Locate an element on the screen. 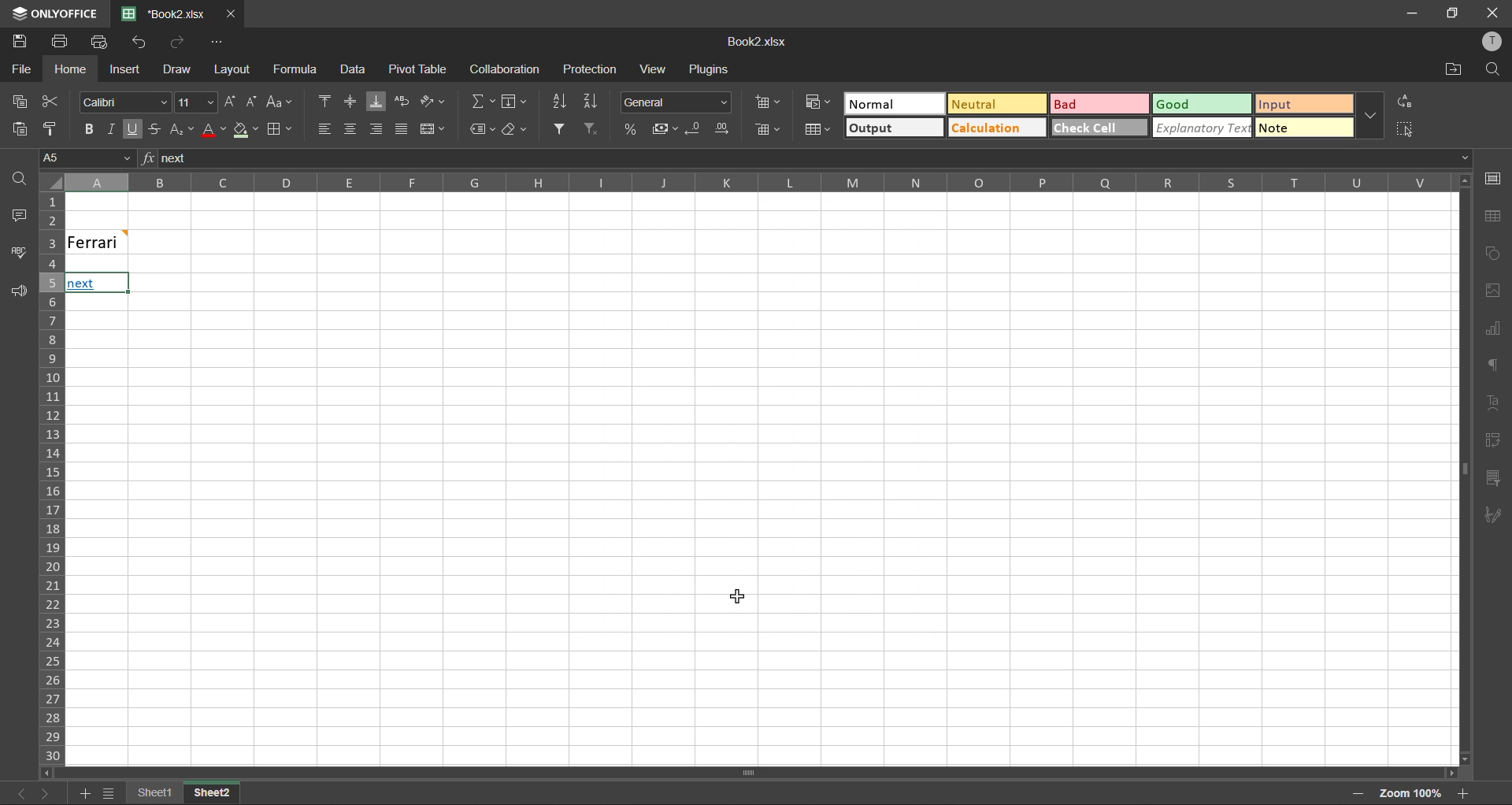  percent is located at coordinates (630, 131).